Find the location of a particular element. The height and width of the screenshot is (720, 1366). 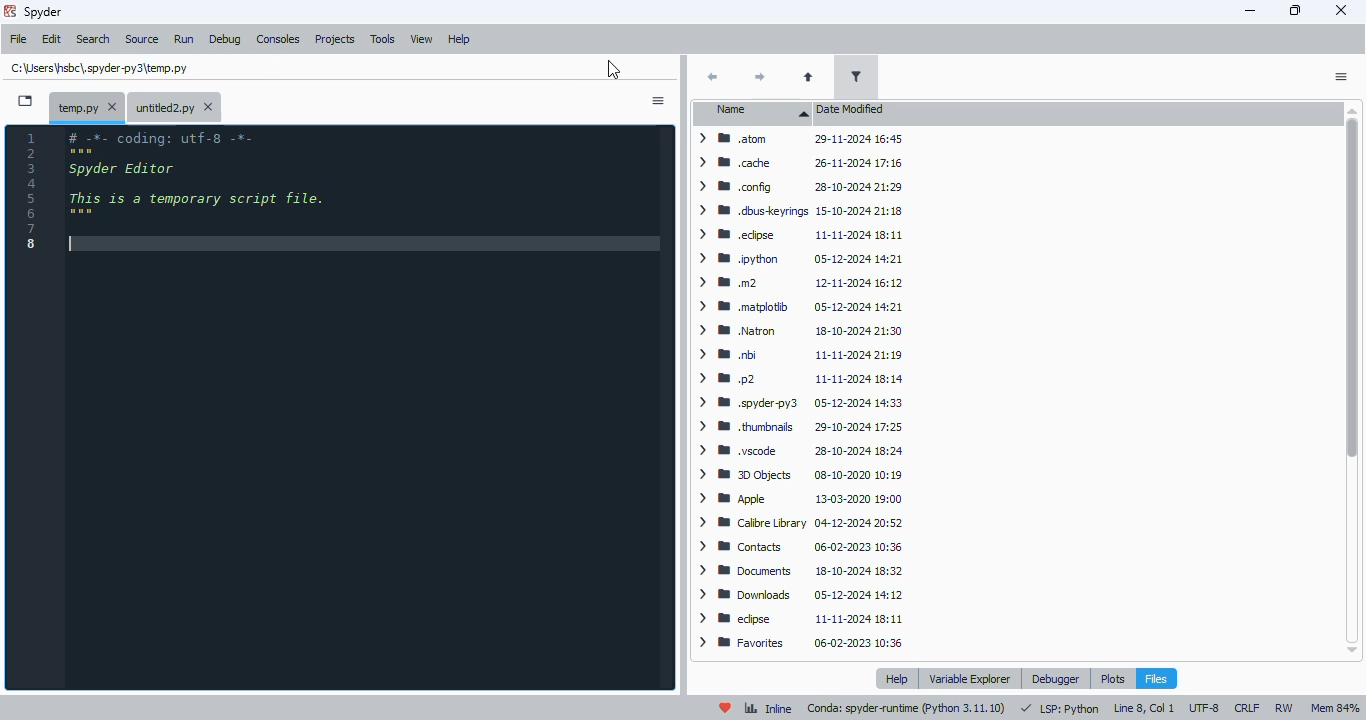

CRLF is located at coordinates (1247, 709).